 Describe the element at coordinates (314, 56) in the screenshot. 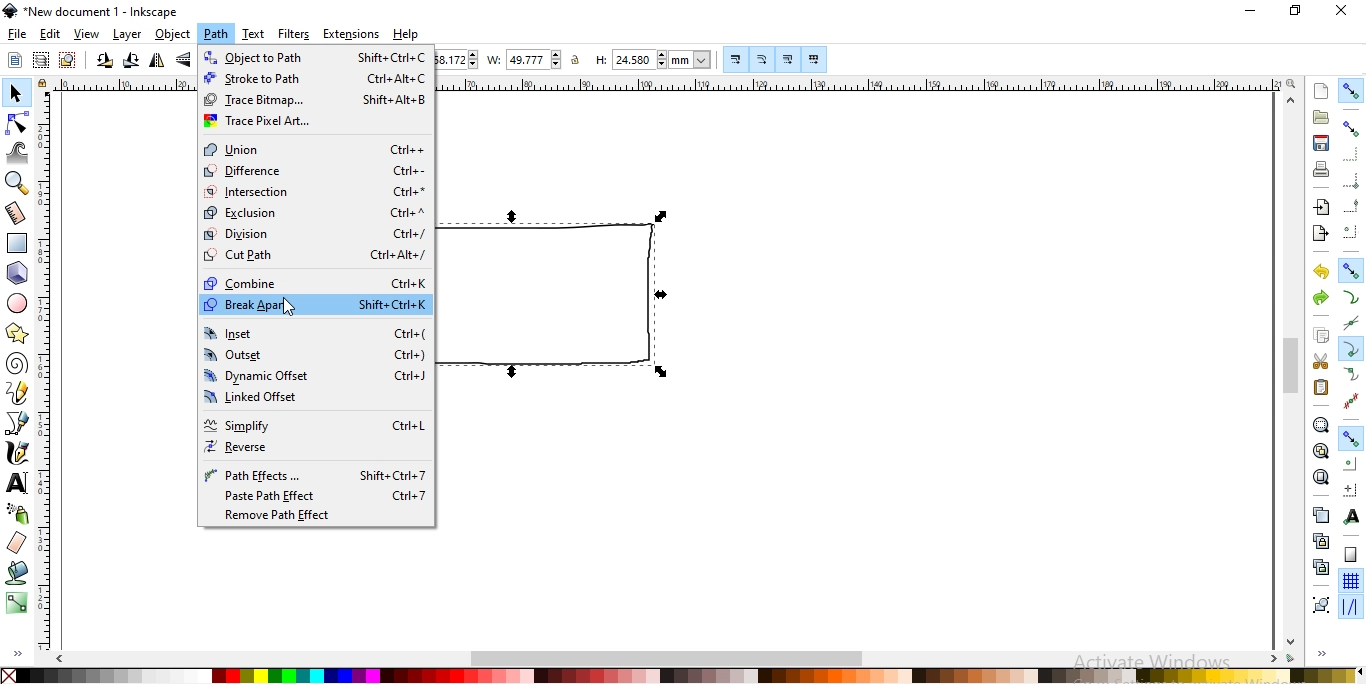

I see `object to path` at that location.